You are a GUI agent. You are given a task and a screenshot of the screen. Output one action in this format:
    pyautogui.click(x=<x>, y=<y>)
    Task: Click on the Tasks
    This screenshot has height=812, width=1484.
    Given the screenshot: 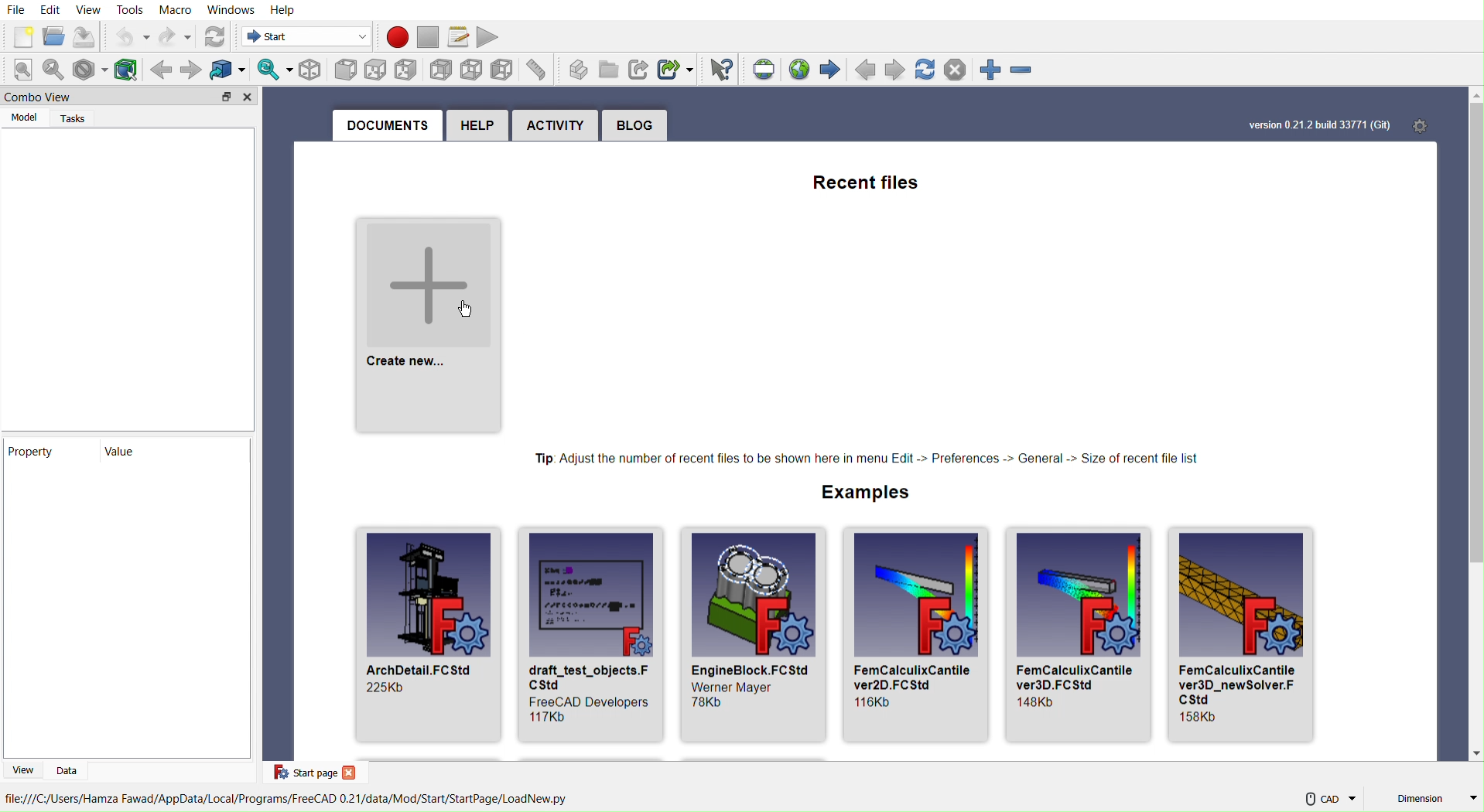 What is the action you would take?
    pyautogui.click(x=73, y=118)
    